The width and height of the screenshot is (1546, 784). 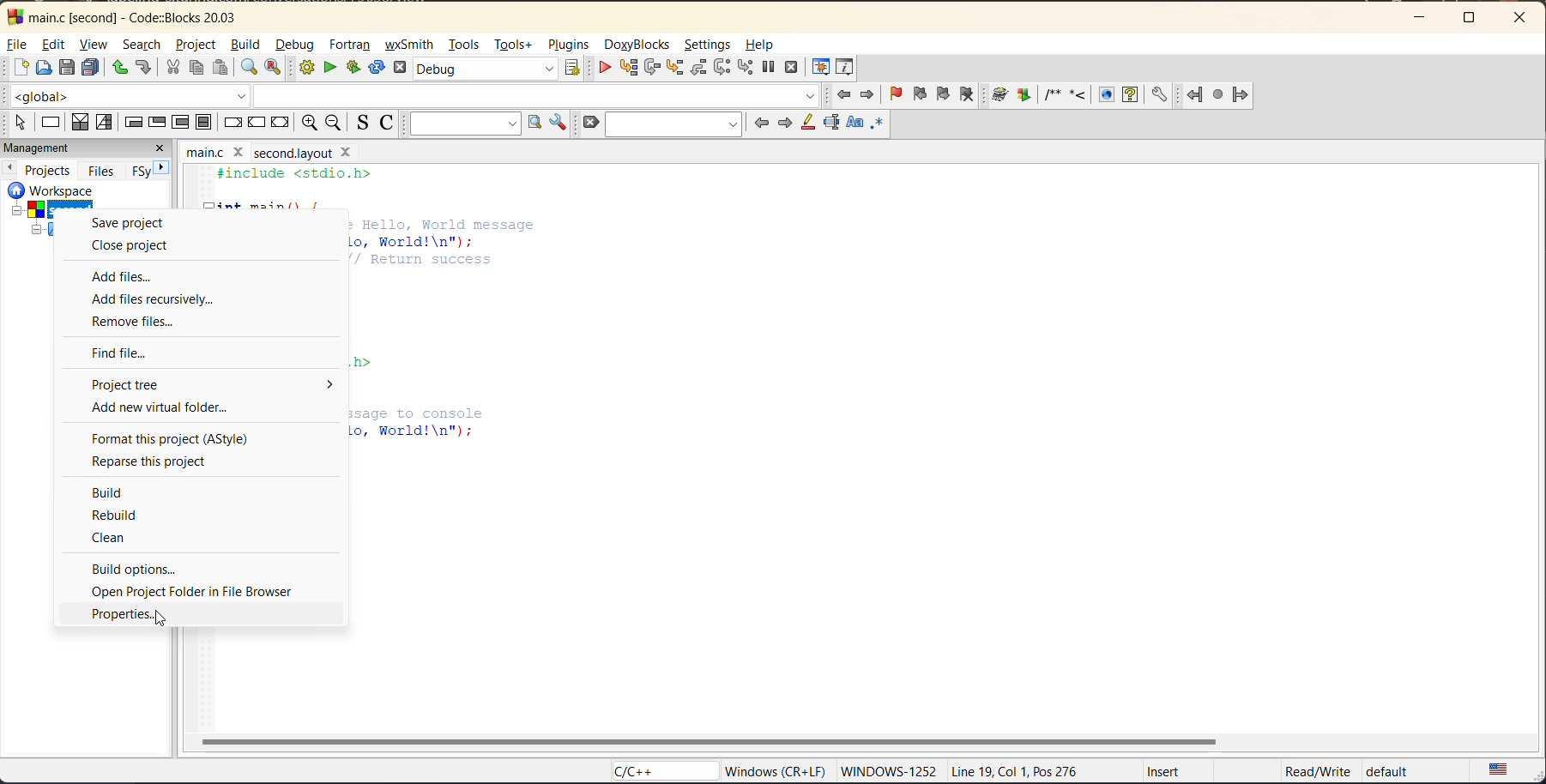 I want to click on previous, so click(x=763, y=125).